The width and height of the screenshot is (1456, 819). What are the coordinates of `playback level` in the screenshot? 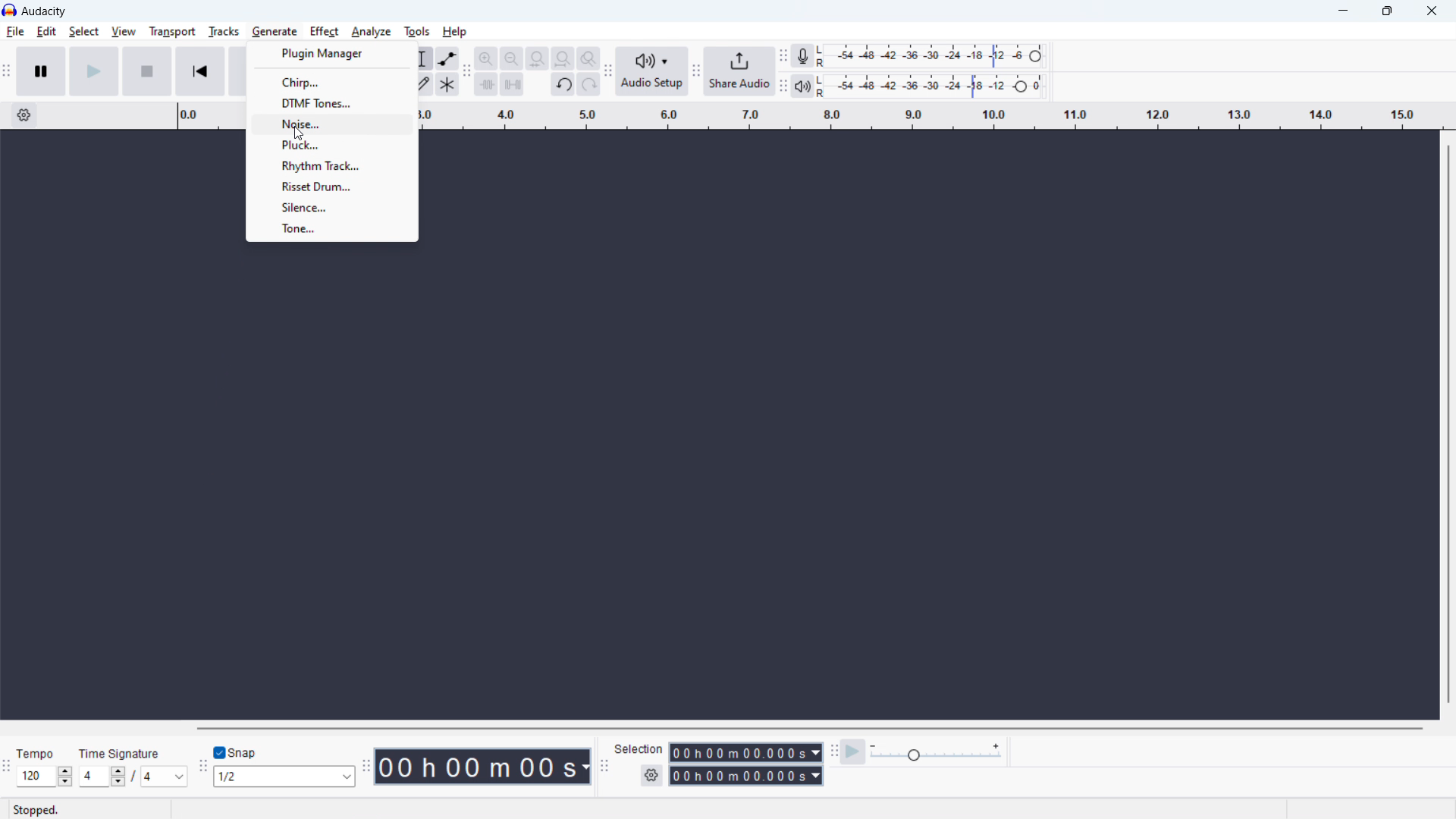 It's located at (931, 86).